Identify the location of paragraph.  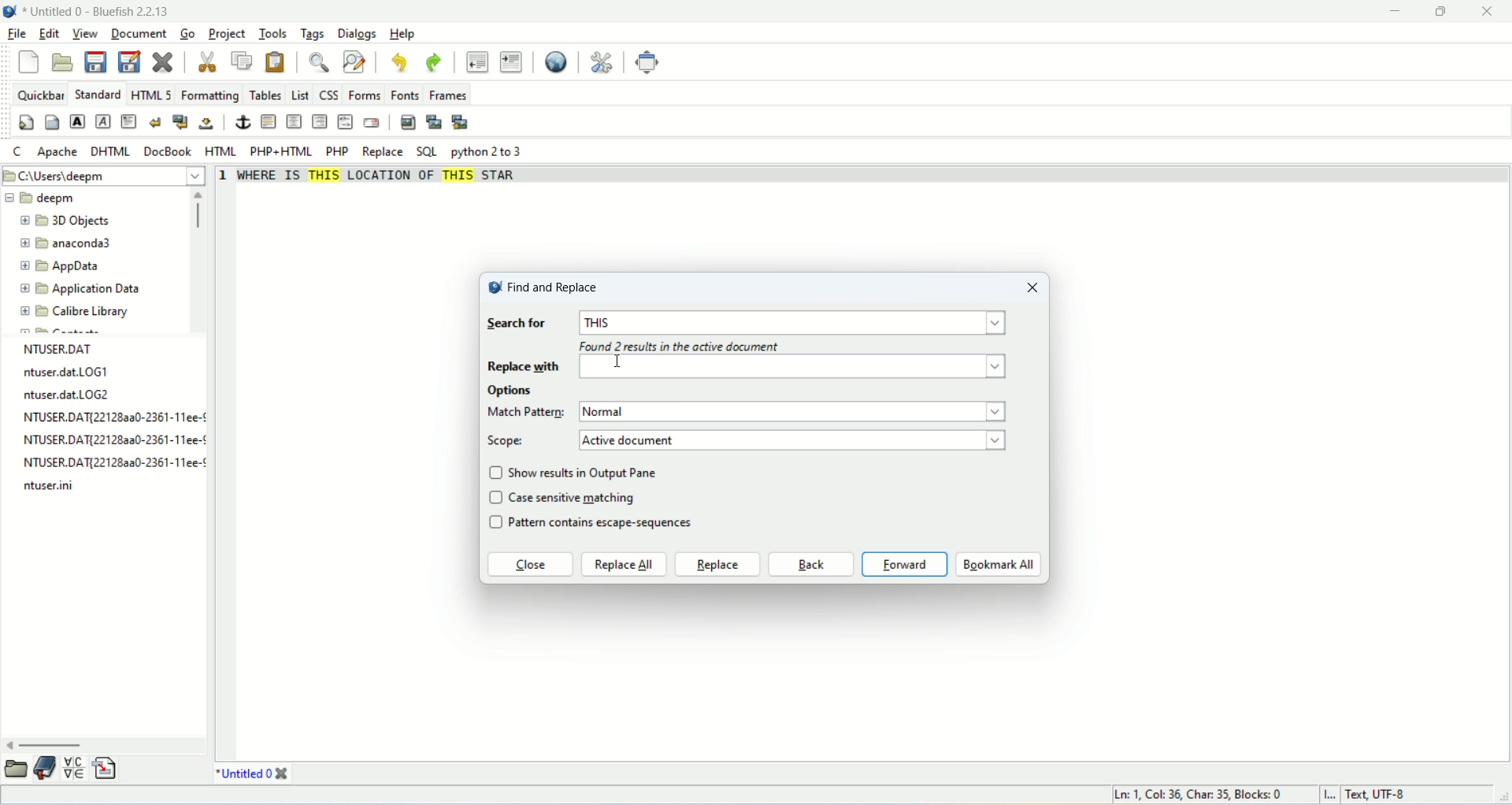
(130, 121).